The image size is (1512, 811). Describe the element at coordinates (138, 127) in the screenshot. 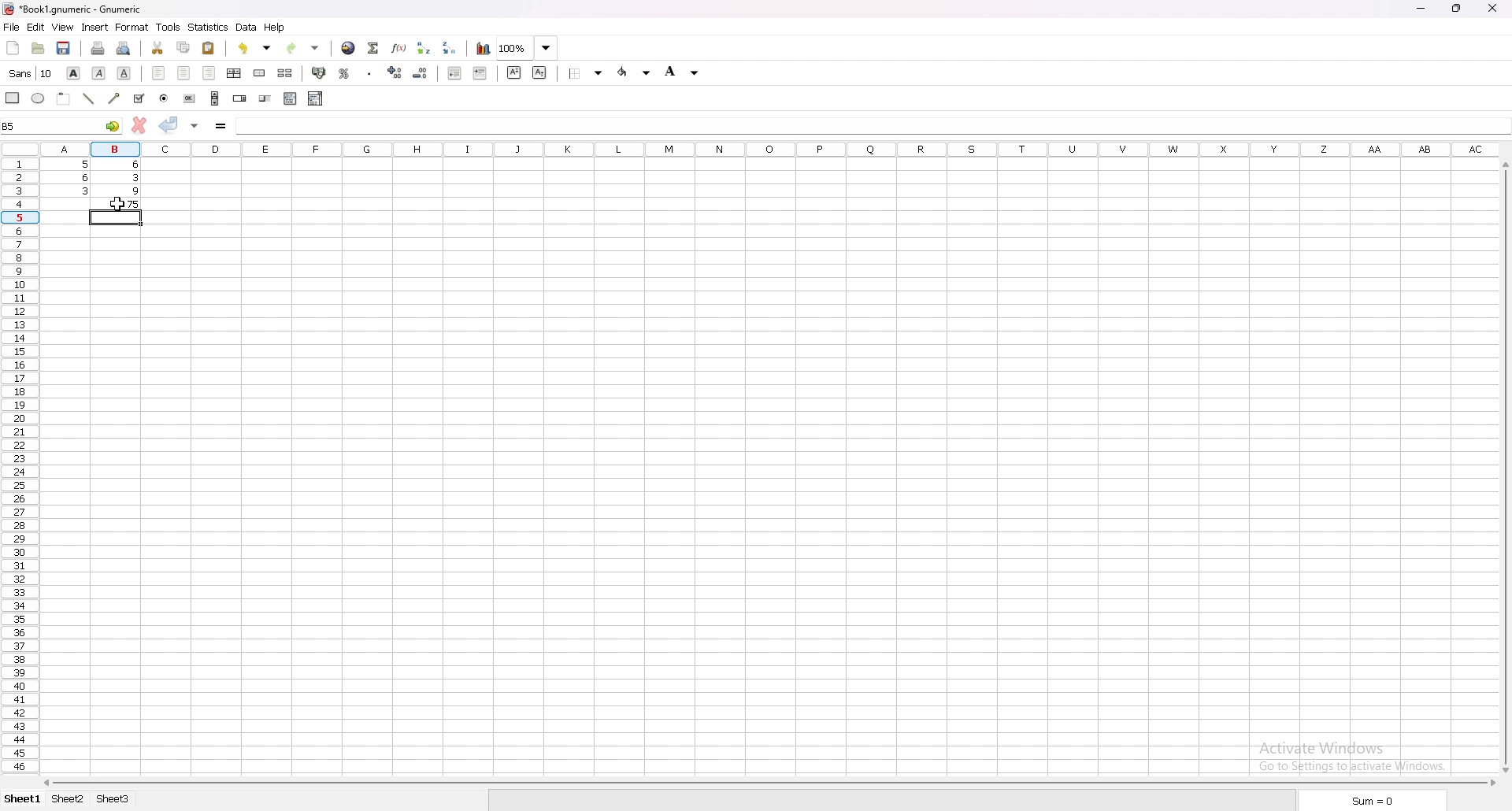

I see `cancel change` at that location.